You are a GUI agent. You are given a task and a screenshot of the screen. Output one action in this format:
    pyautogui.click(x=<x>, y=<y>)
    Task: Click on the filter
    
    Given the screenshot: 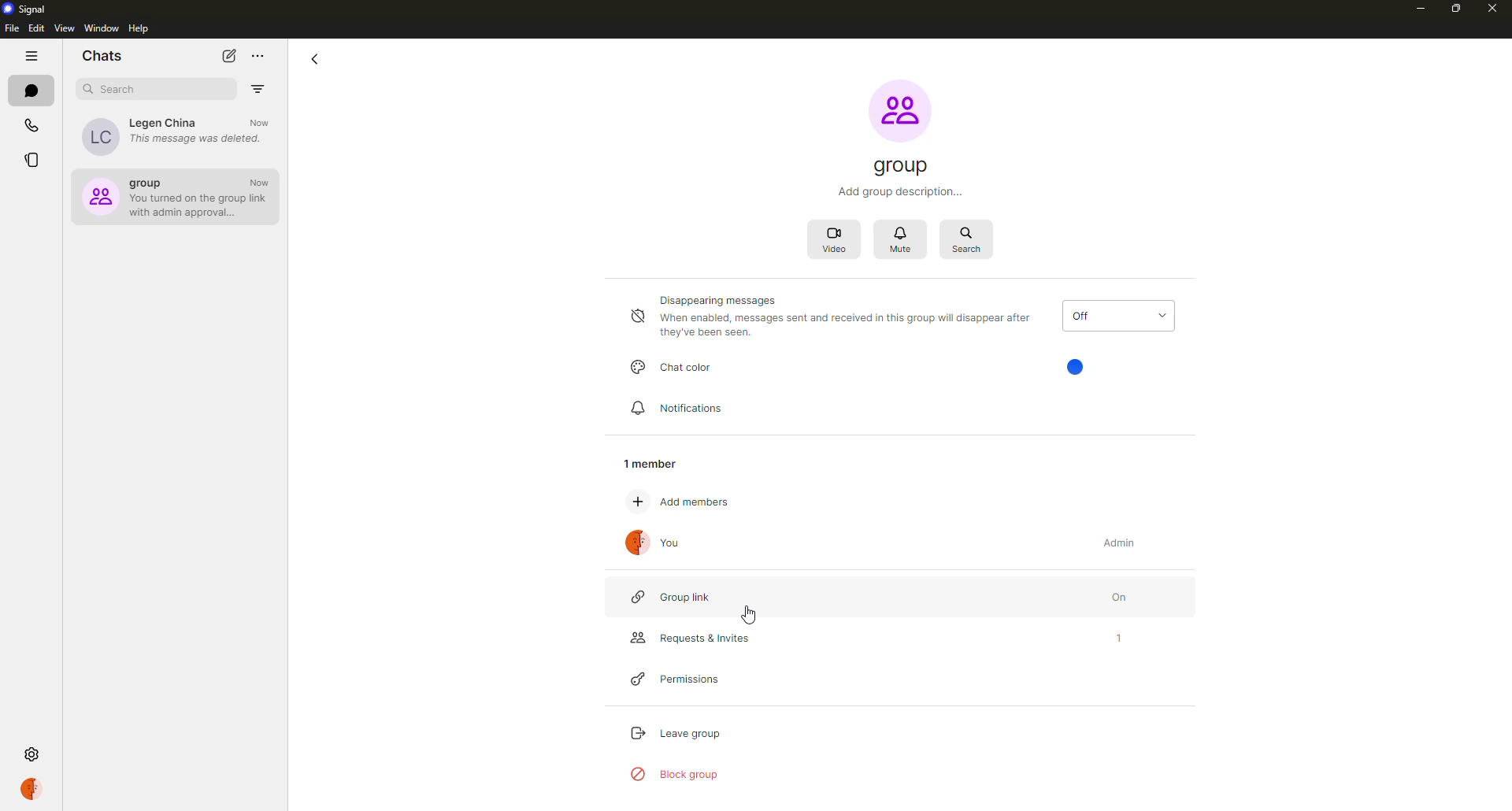 What is the action you would take?
    pyautogui.click(x=258, y=89)
    